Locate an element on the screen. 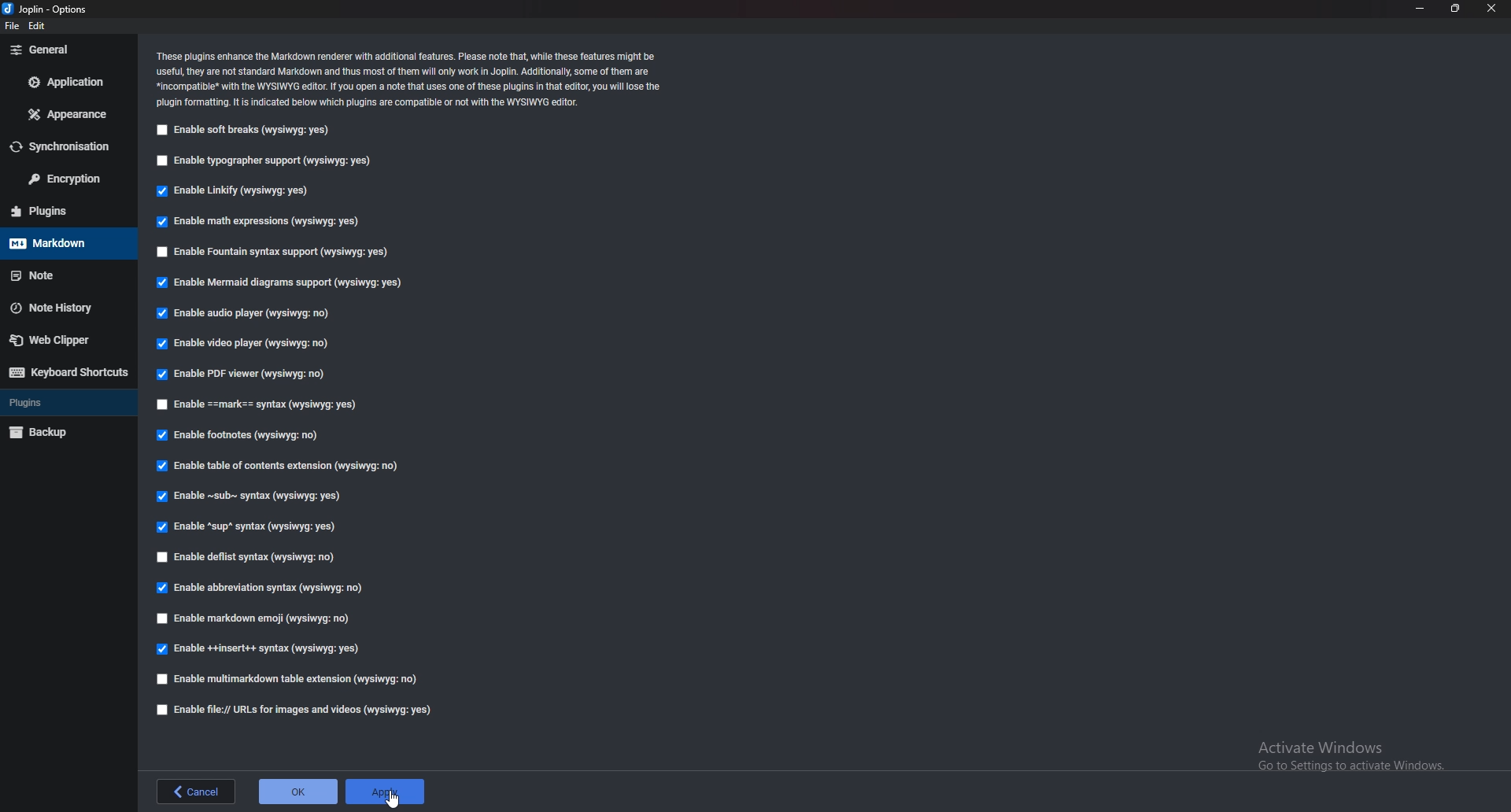 The image size is (1511, 812). Enable mermaid diagram support is located at coordinates (283, 283).